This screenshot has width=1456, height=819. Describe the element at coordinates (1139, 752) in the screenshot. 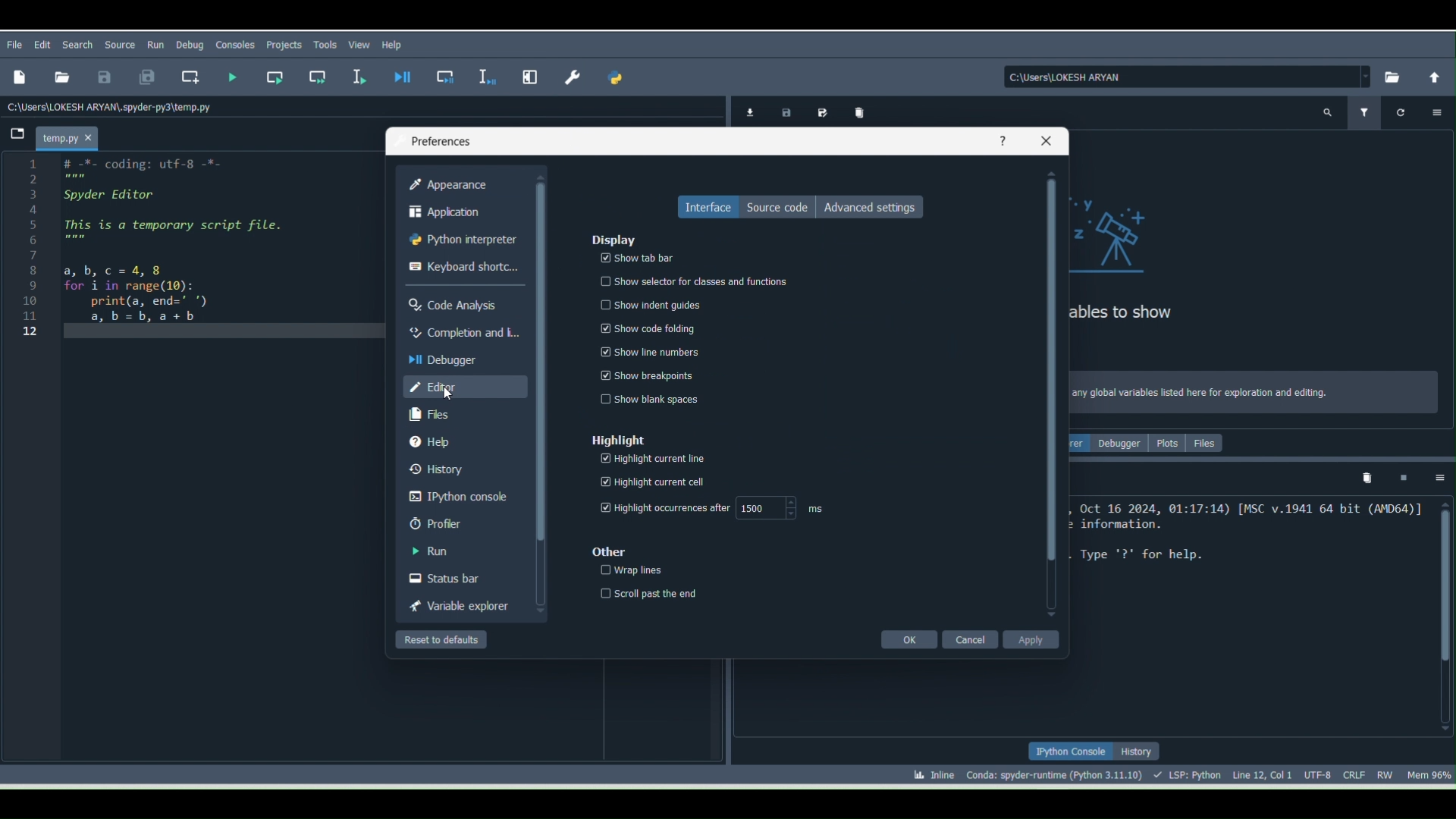

I see `History` at that location.